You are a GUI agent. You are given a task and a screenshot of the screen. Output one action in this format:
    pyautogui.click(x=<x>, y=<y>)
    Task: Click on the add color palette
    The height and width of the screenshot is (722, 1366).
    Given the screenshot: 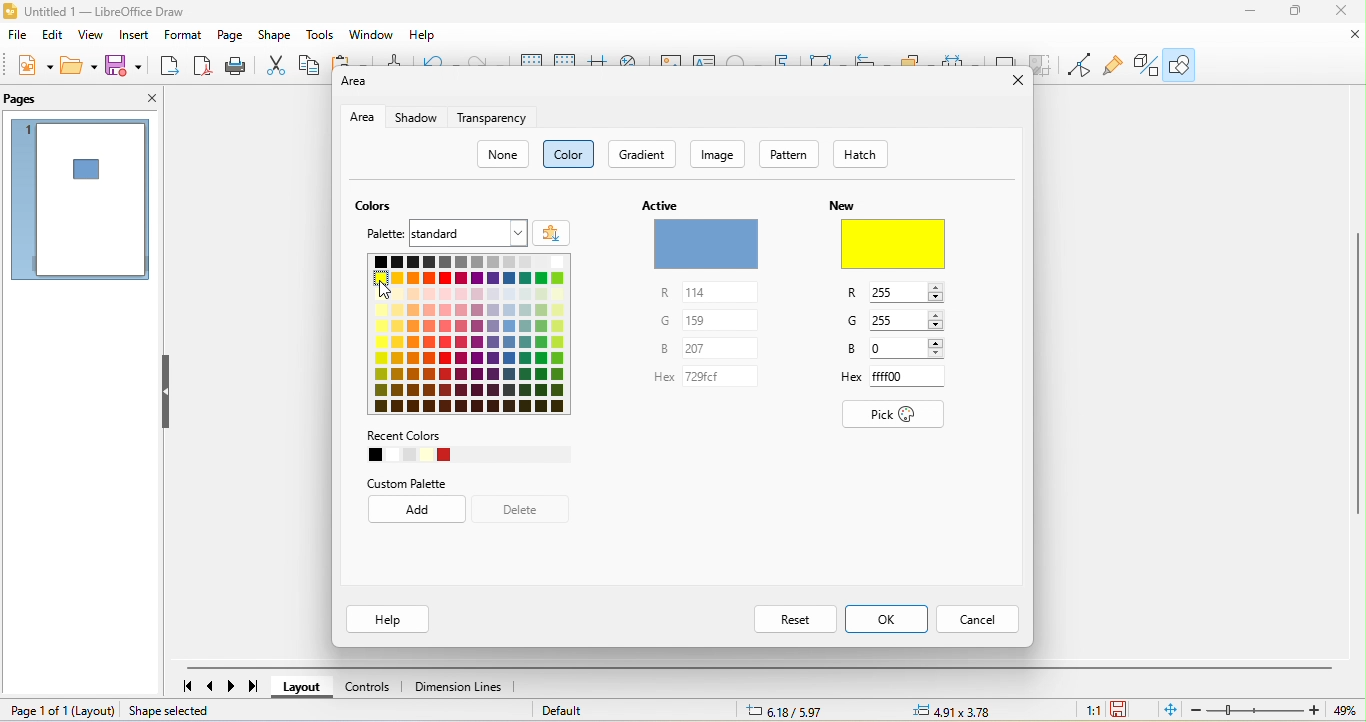 What is the action you would take?
    pyautogui.click(x=555, y=230)
    